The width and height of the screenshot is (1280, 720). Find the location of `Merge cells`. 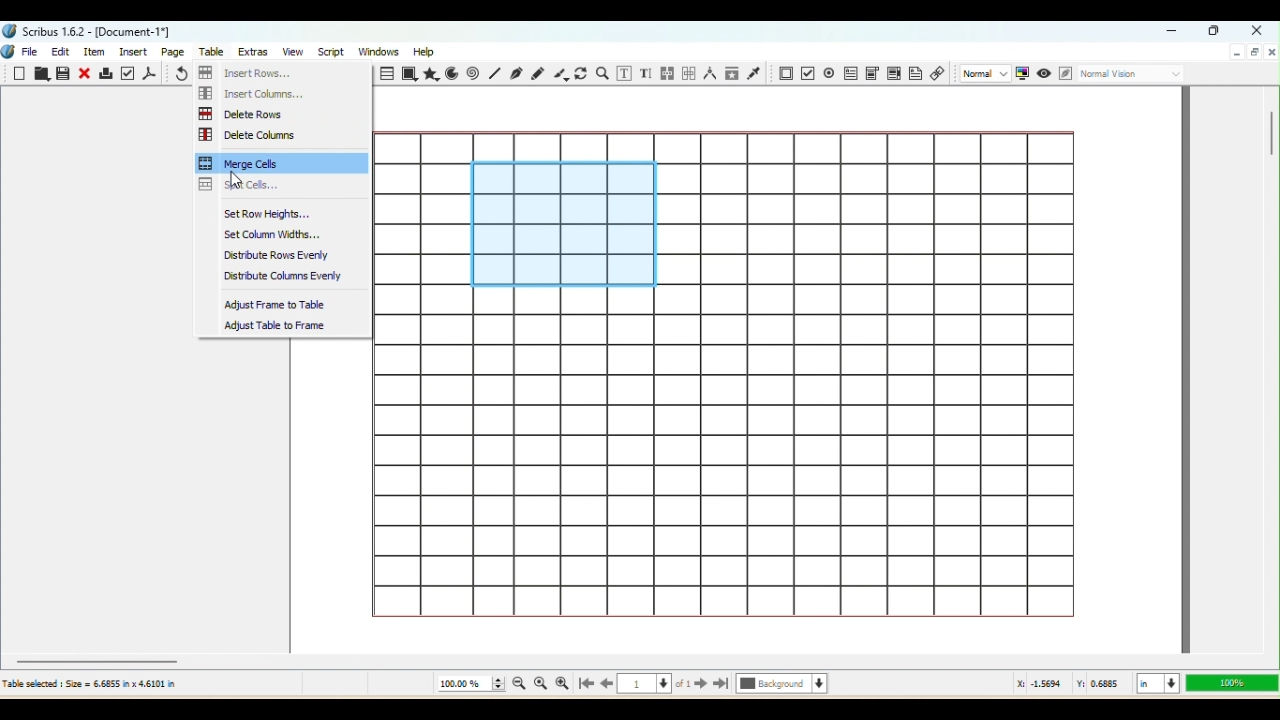

Merge cells is located at coordinates (243, 163).